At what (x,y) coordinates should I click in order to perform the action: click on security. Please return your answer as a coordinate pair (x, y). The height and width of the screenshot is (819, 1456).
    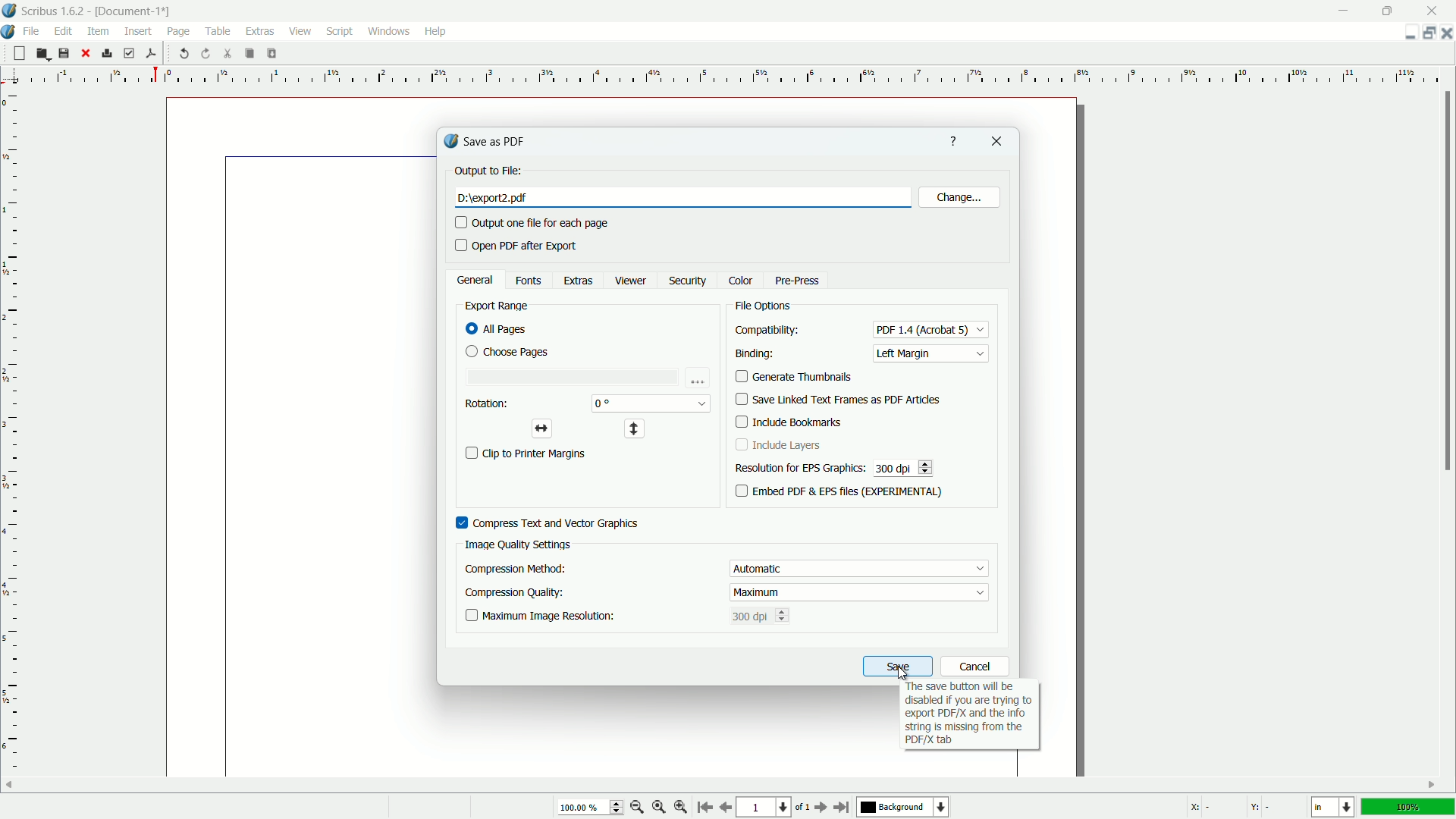
    Looking at the image, I should click on (686, 282).